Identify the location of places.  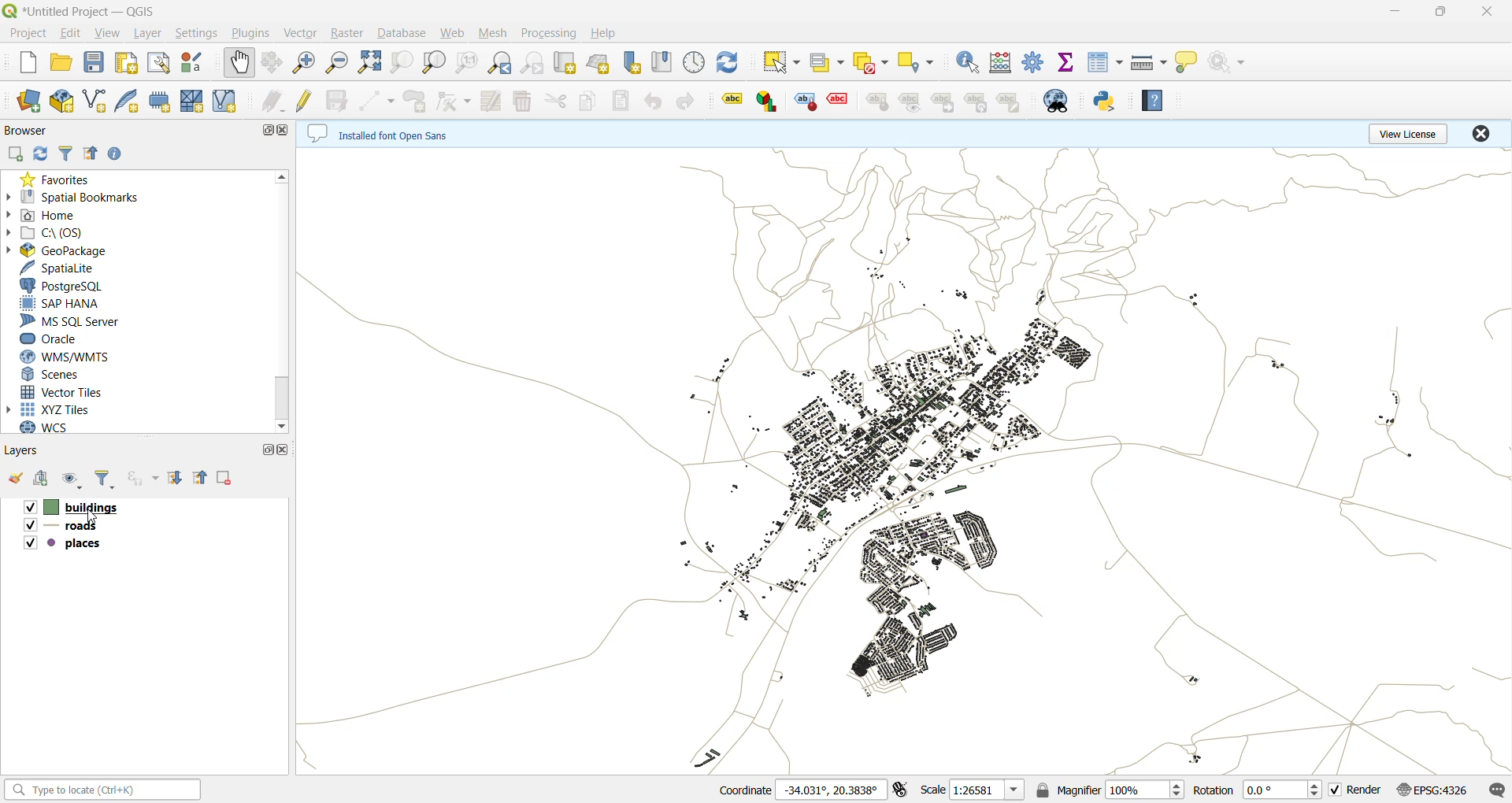
(67, 543).